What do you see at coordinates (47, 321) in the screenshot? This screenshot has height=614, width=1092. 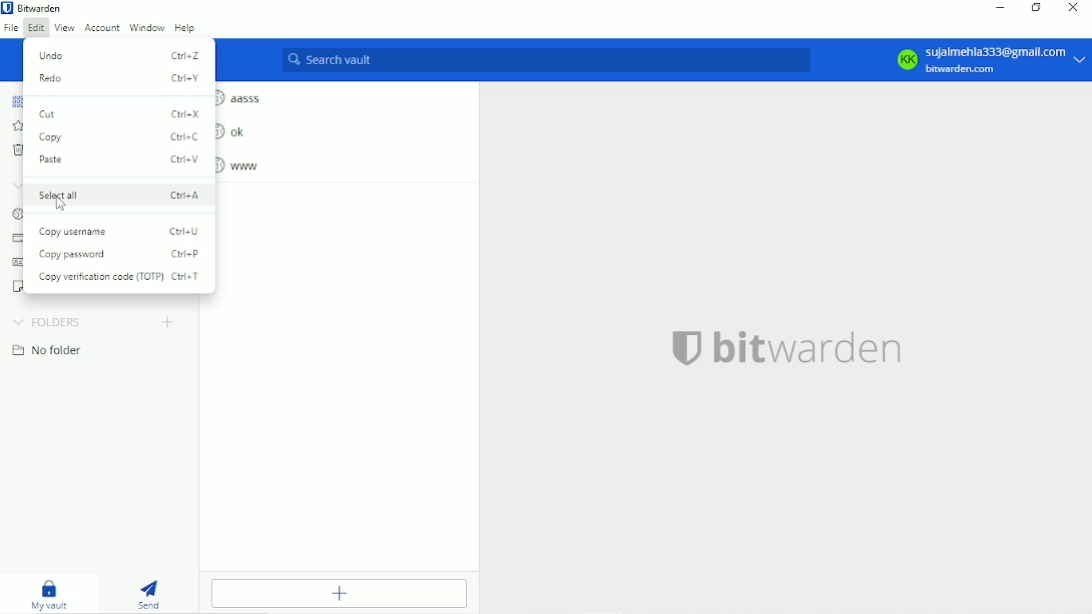 I see `Folders` at bounding box center [47, 321].